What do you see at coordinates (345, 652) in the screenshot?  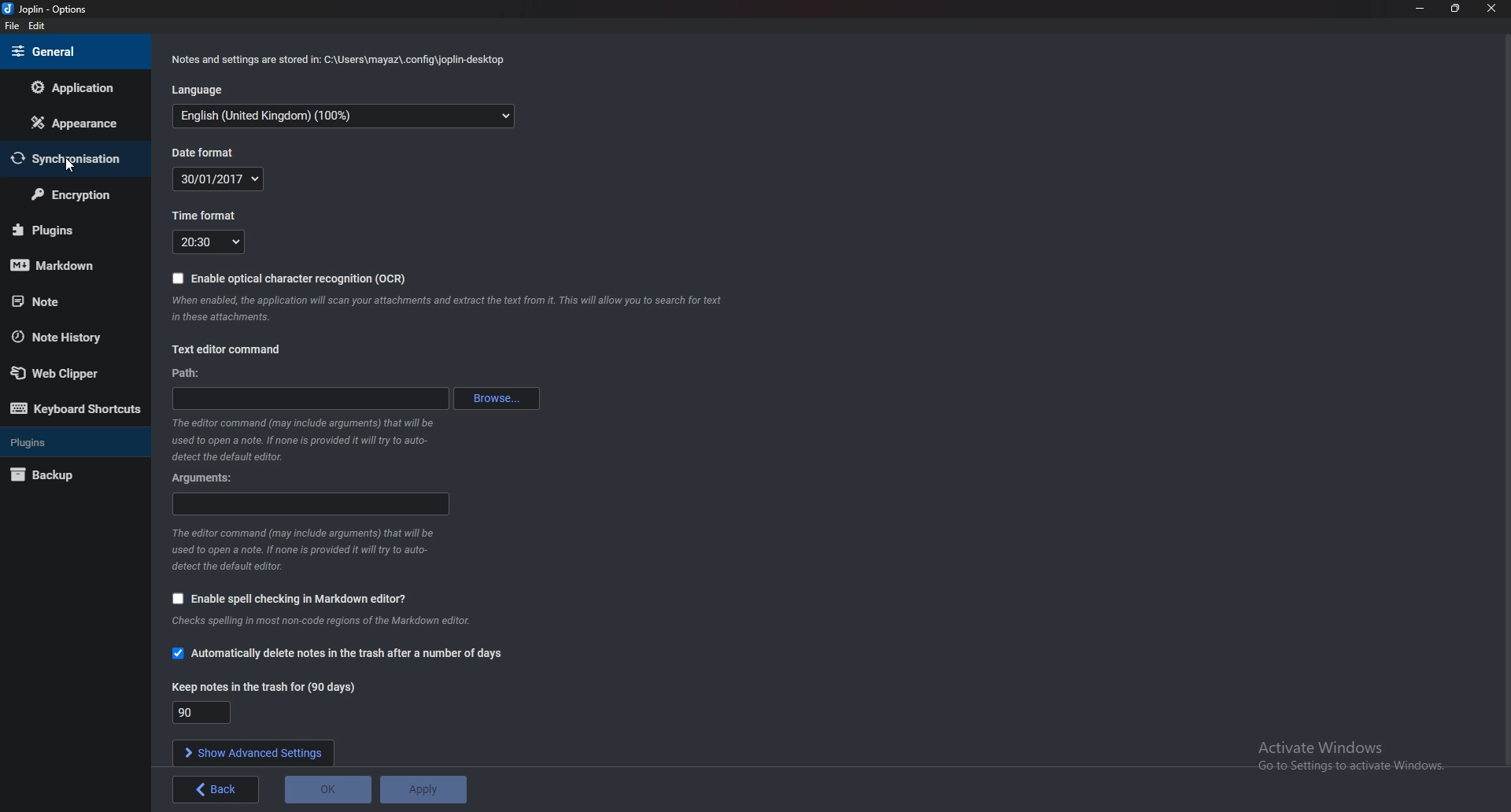 I see `Automatically delete notes` at bounding box center [345, 652].